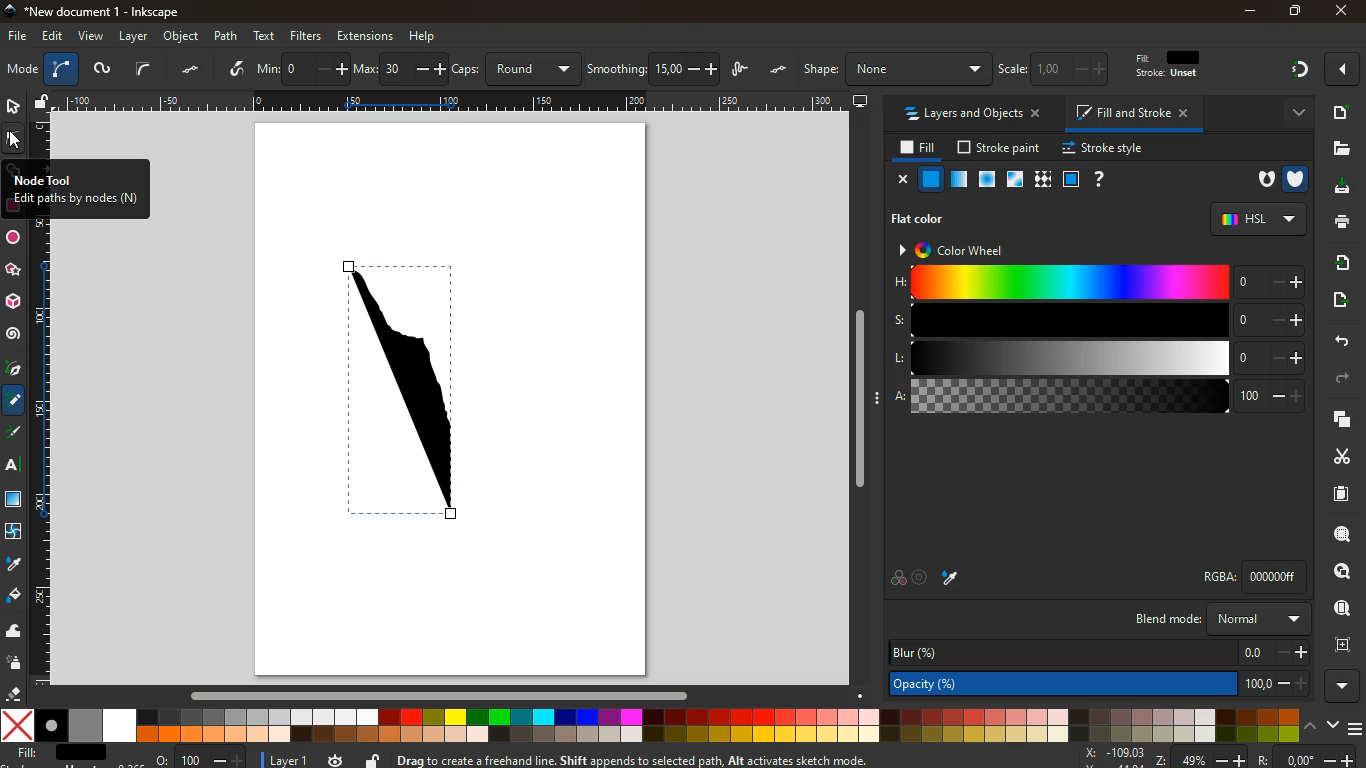 The height and width of the screenshot is (768, 1366). Describe the element at coordinates (1262, 181) in the screenshot. I see `hole` at that location.